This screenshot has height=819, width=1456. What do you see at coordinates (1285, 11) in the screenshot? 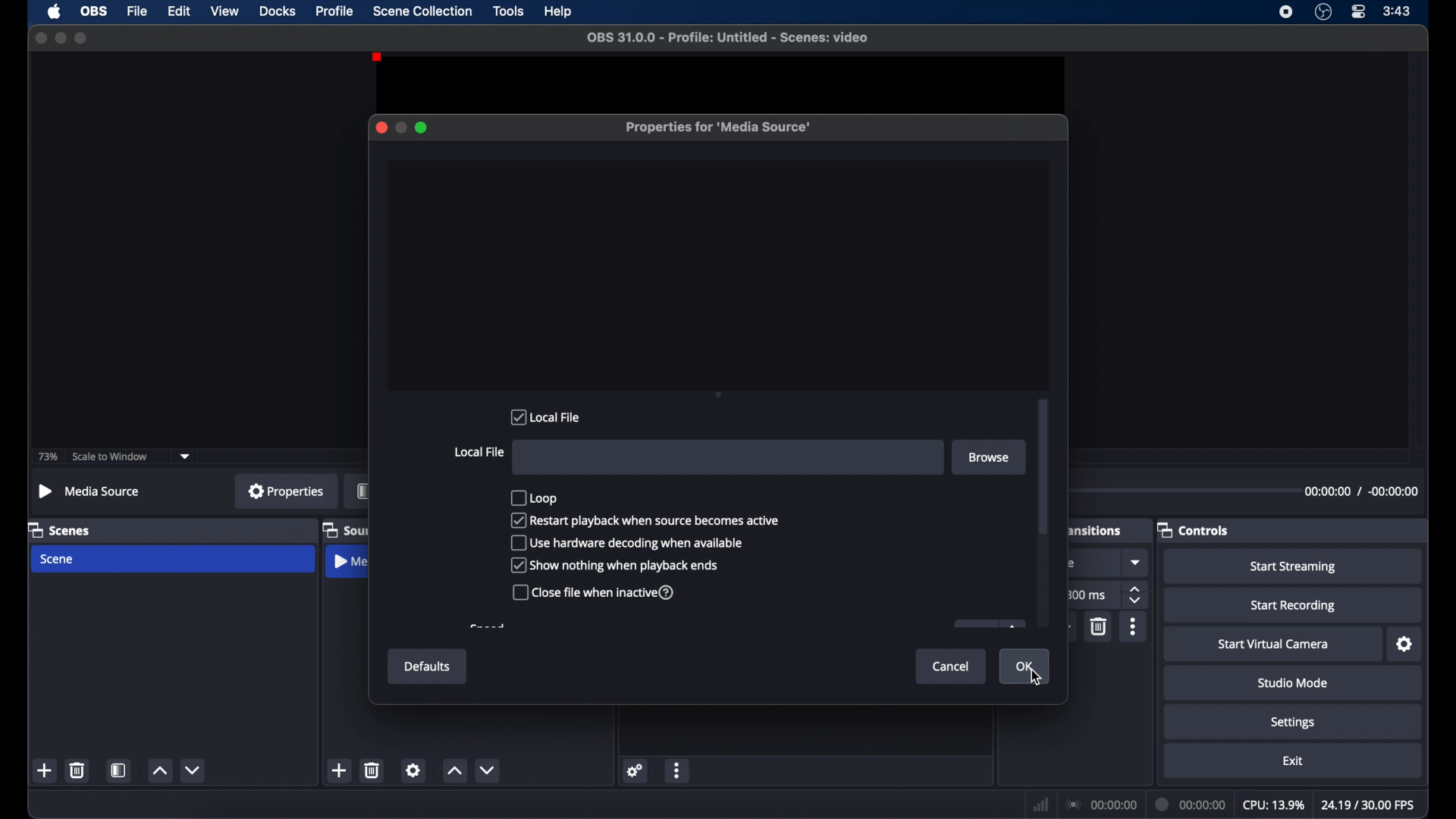
I see `screen recorder icon` at bounding box center [1285, 11].